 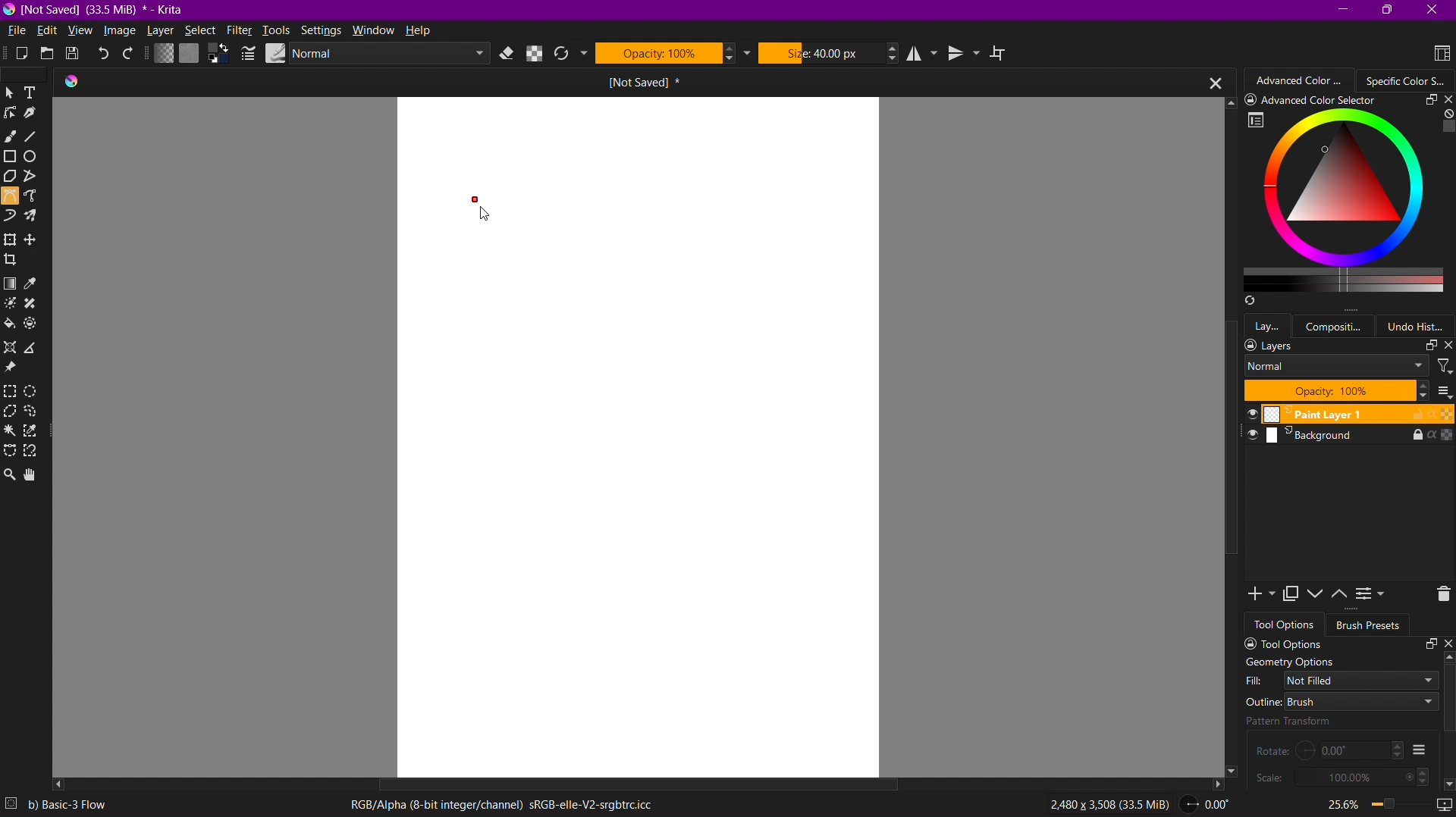 What do you see at coordinates (636, 437) in the screenshot?
I see `canvas` at bounding box center [636, 437].